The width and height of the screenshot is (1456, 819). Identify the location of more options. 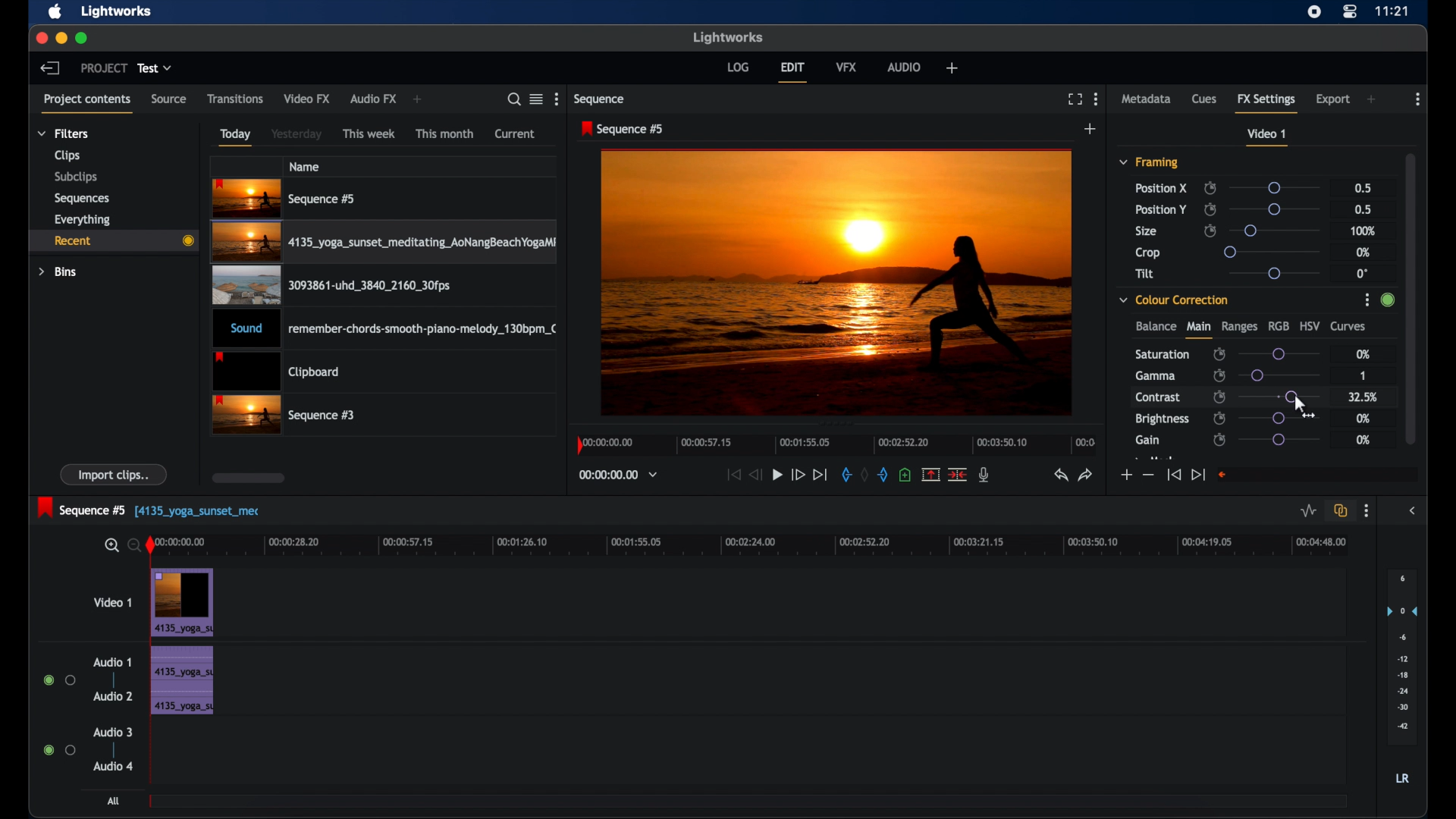
(559, 99).